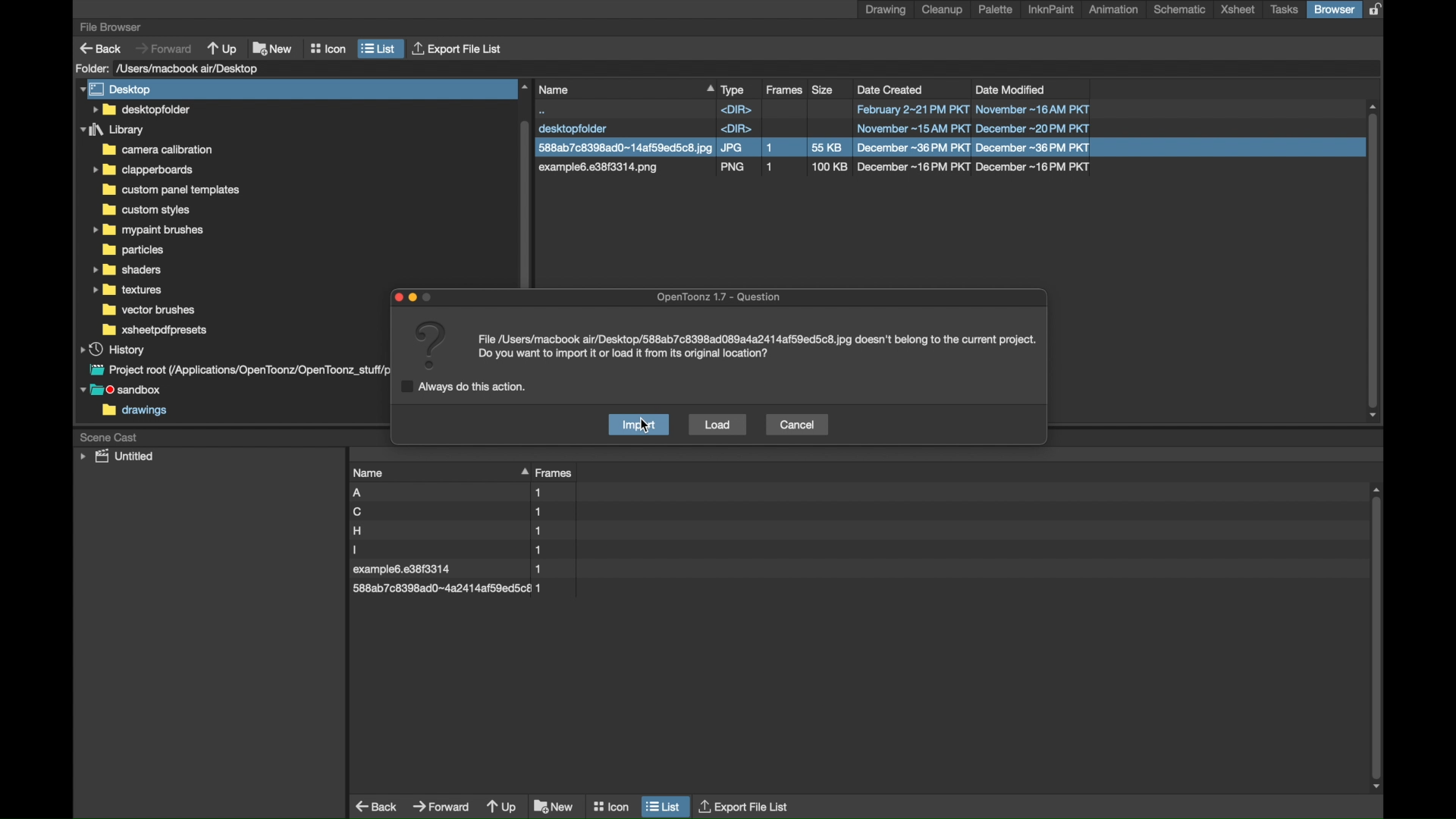 The height and width of the screenshot is (819, 1456). Describe the element at coordinates (798, 424) in the screenshot. I see `cancel` at that location.